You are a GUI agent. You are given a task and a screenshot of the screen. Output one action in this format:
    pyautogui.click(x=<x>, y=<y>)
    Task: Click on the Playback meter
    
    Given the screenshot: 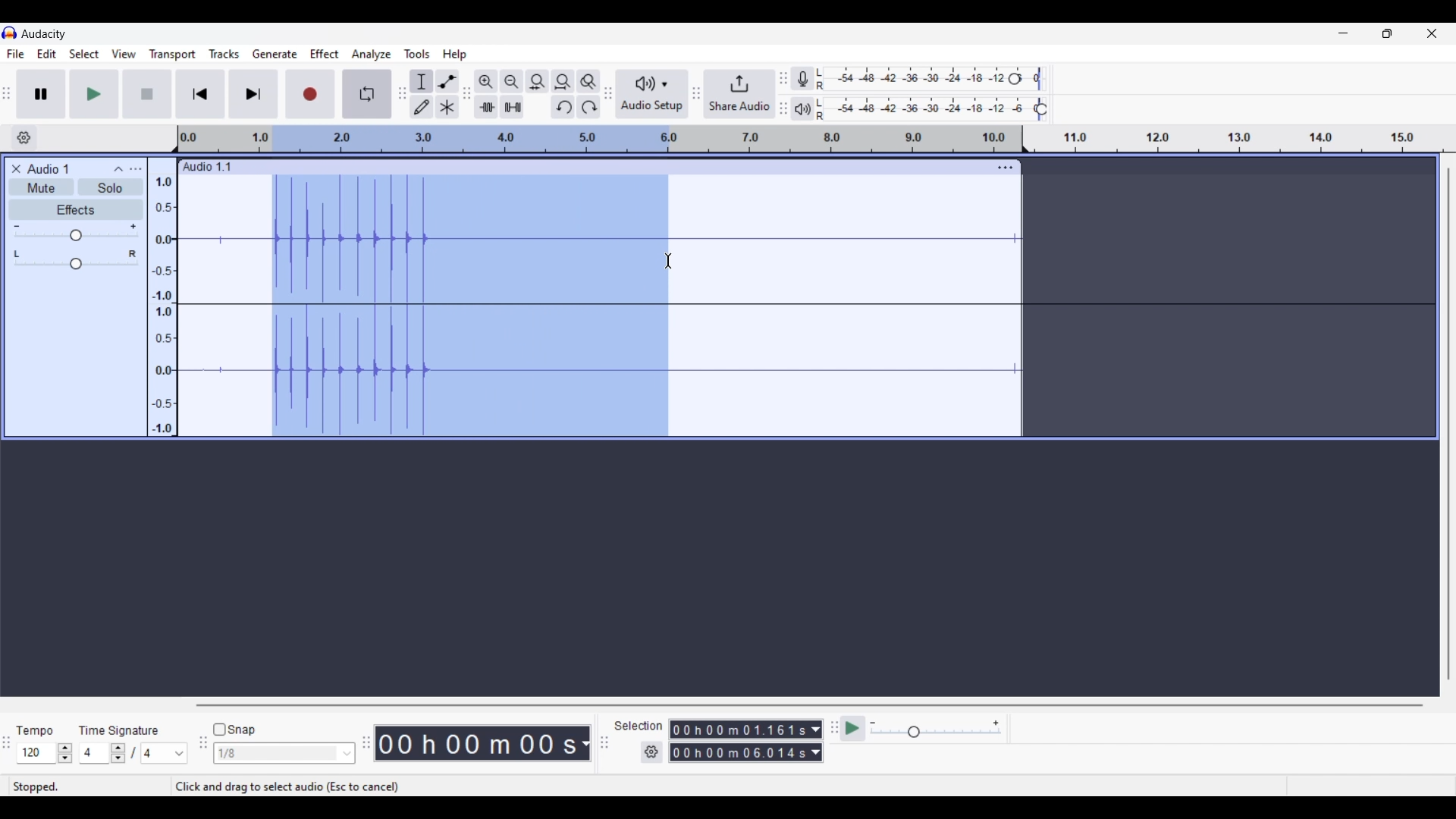 What is the action you would take?
    pyautogui.click(x=802, y=109)
    